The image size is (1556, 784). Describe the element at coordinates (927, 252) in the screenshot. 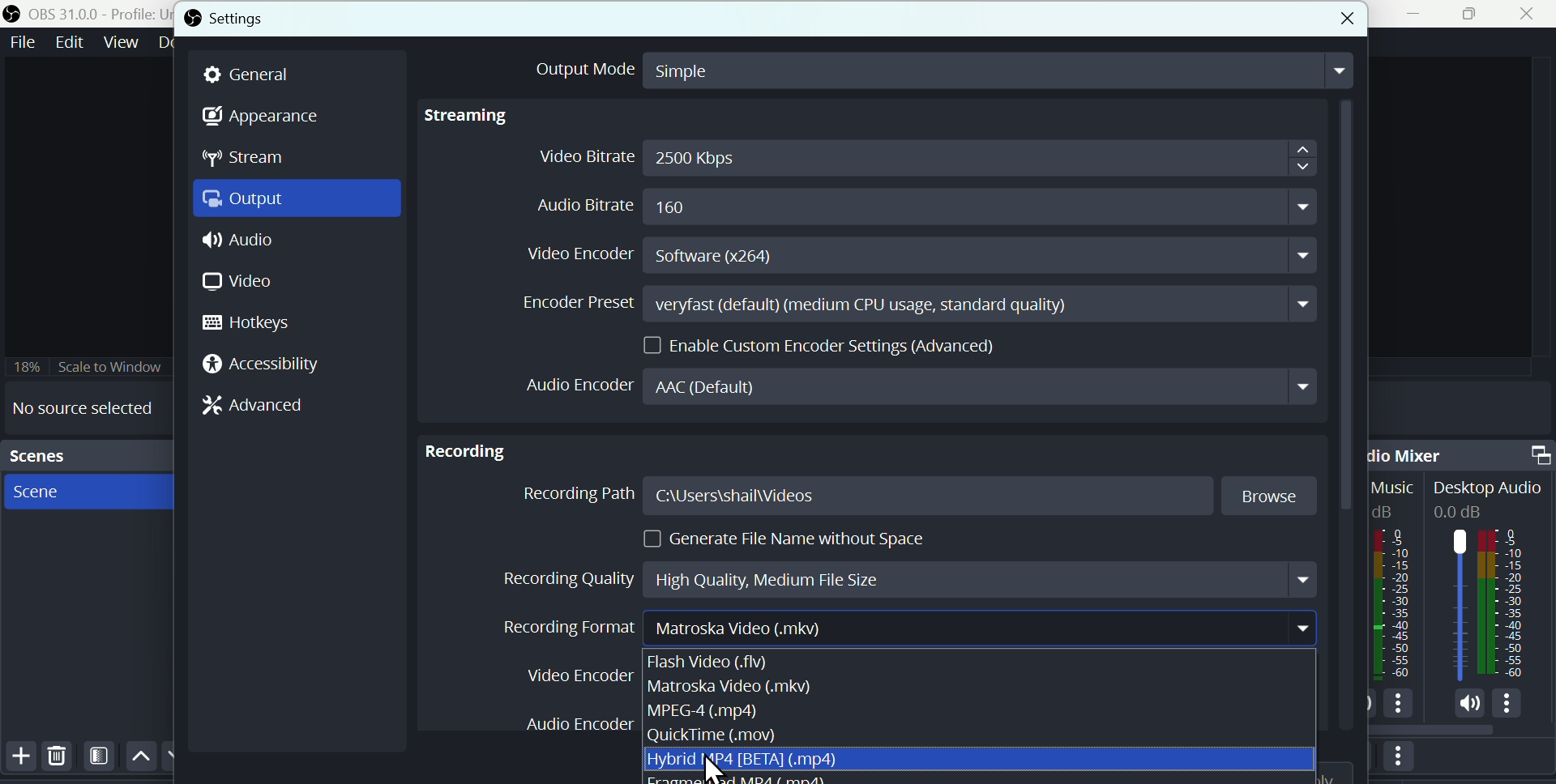

I see `Video encoder` at that location.